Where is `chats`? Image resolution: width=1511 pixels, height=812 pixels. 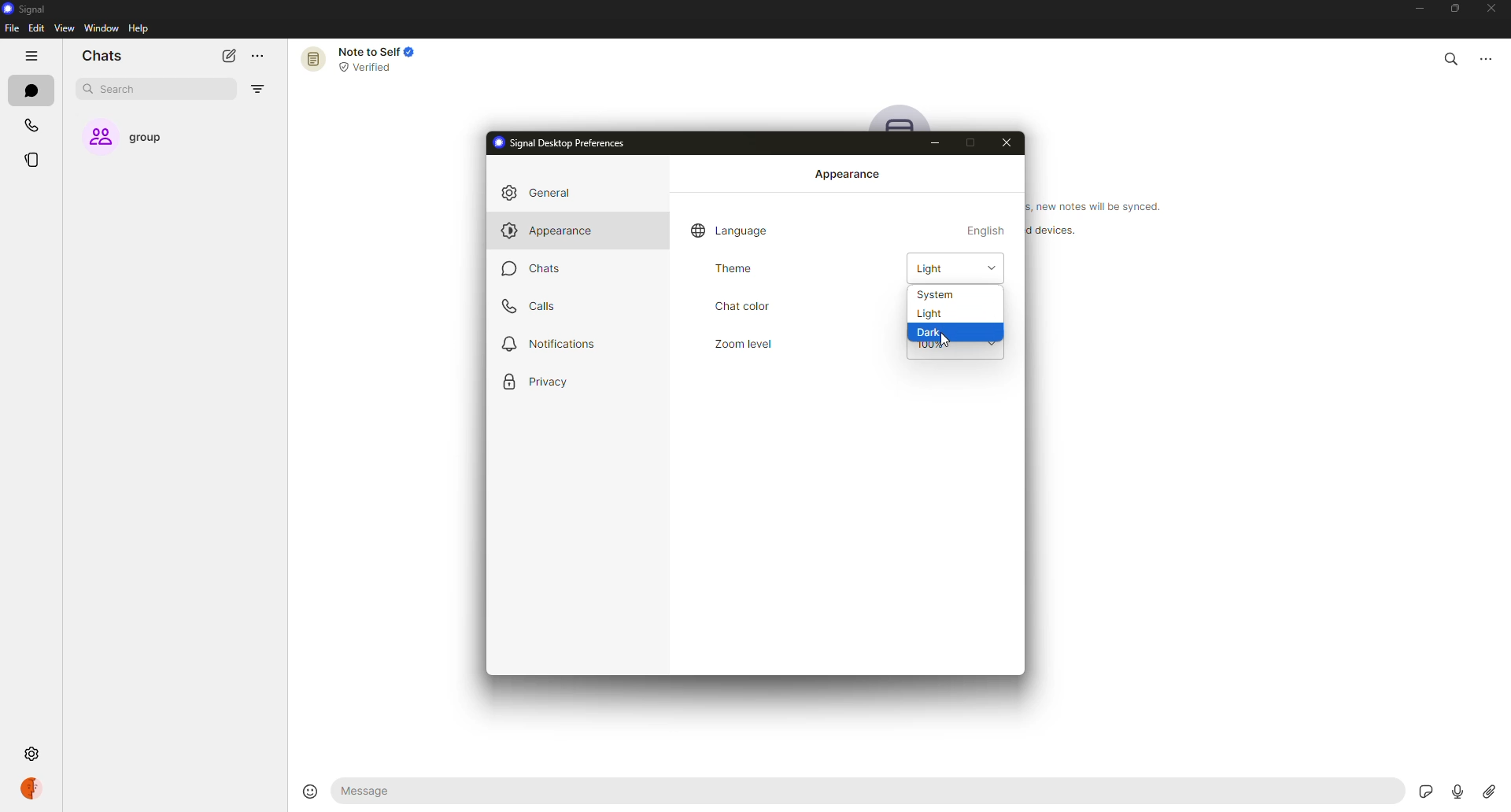
chats is located at coordinates (534, 268).